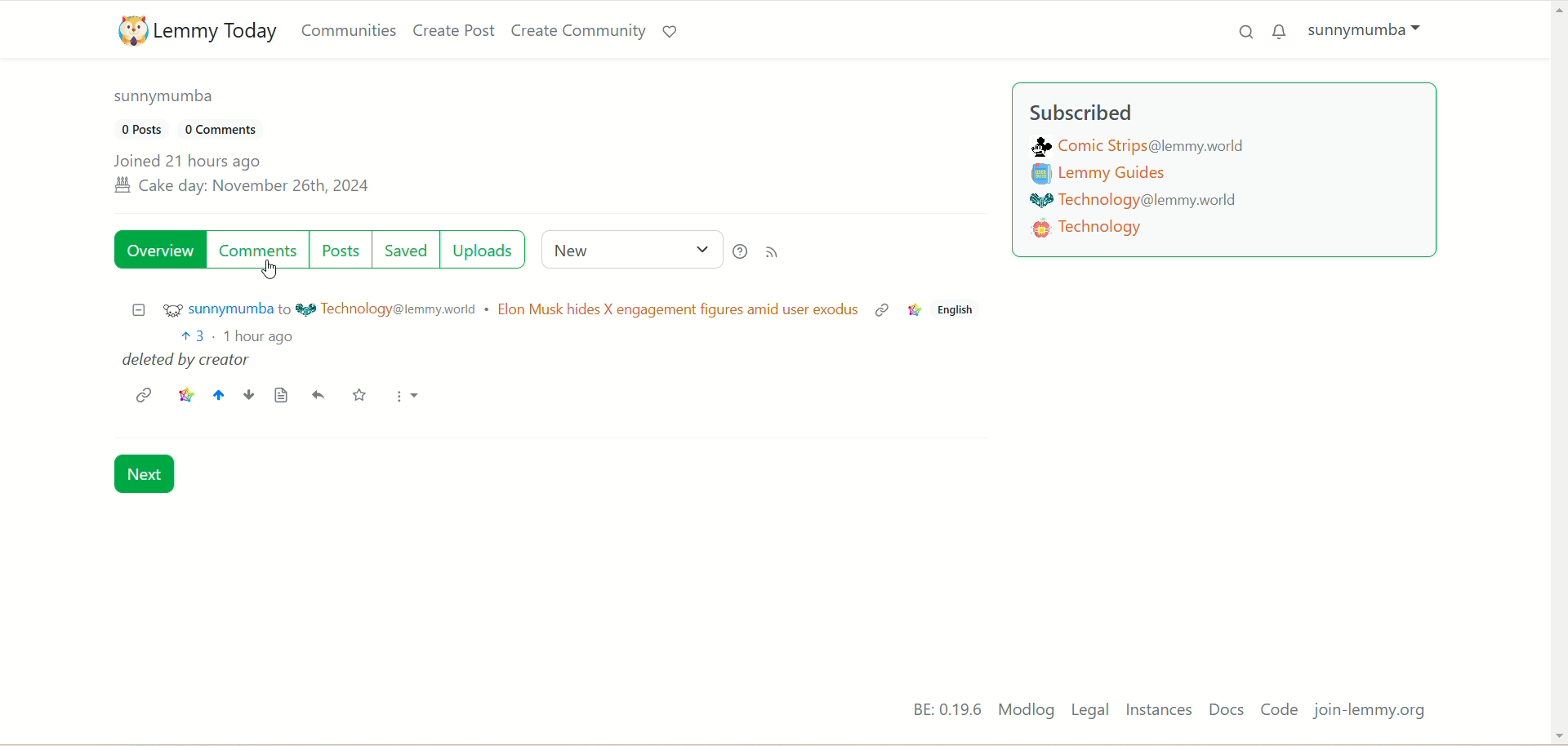 The width and height of the screenshot is (1568, 746). I want to click on Code, so click(1281, 709).